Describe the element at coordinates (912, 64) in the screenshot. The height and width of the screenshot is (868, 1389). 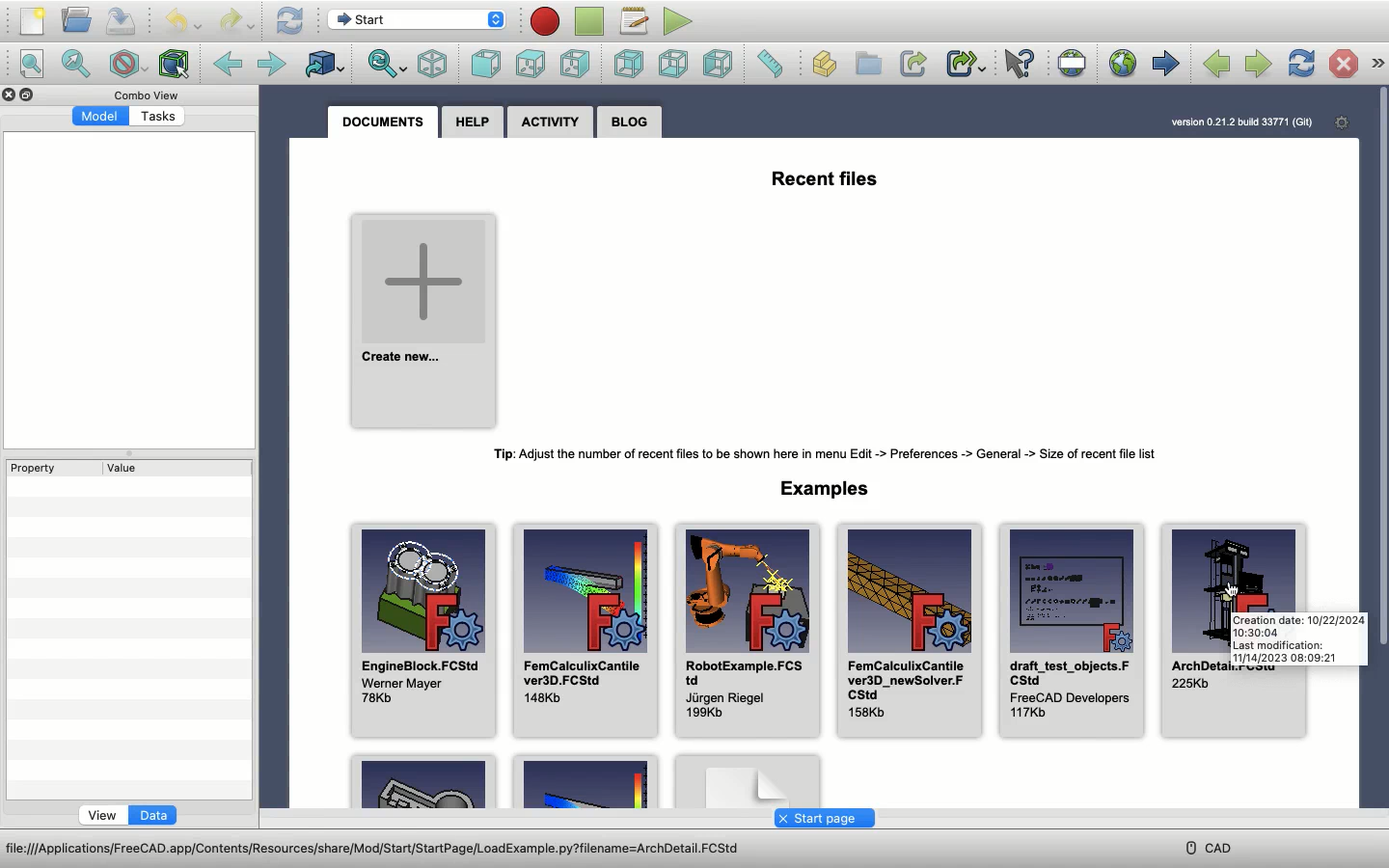
I see `Make link` at that location.